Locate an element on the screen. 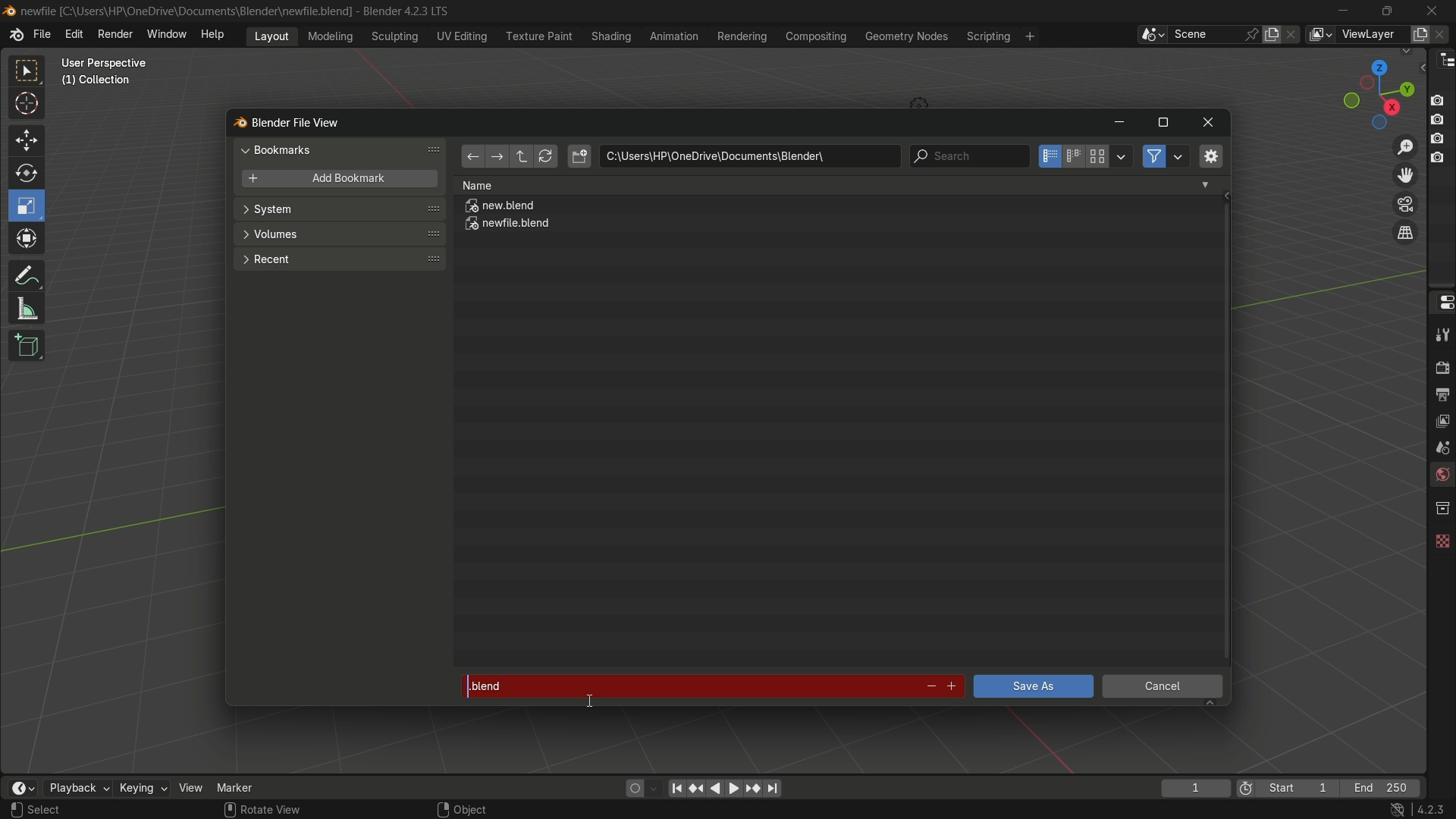  recent is located at coordinates (337, 258).